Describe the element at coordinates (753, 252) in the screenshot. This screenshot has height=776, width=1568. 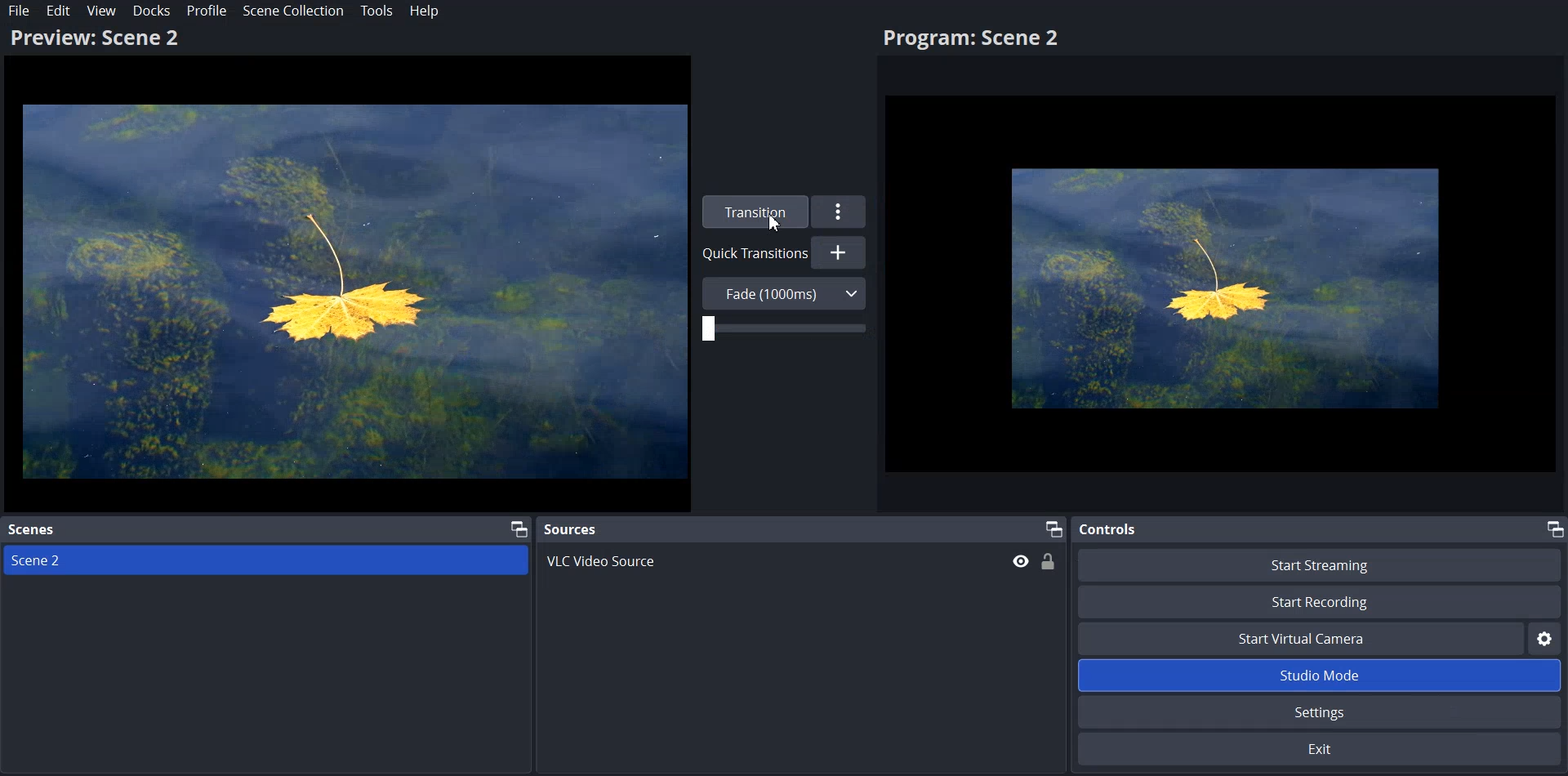
I see `Quick Transition` at that location.